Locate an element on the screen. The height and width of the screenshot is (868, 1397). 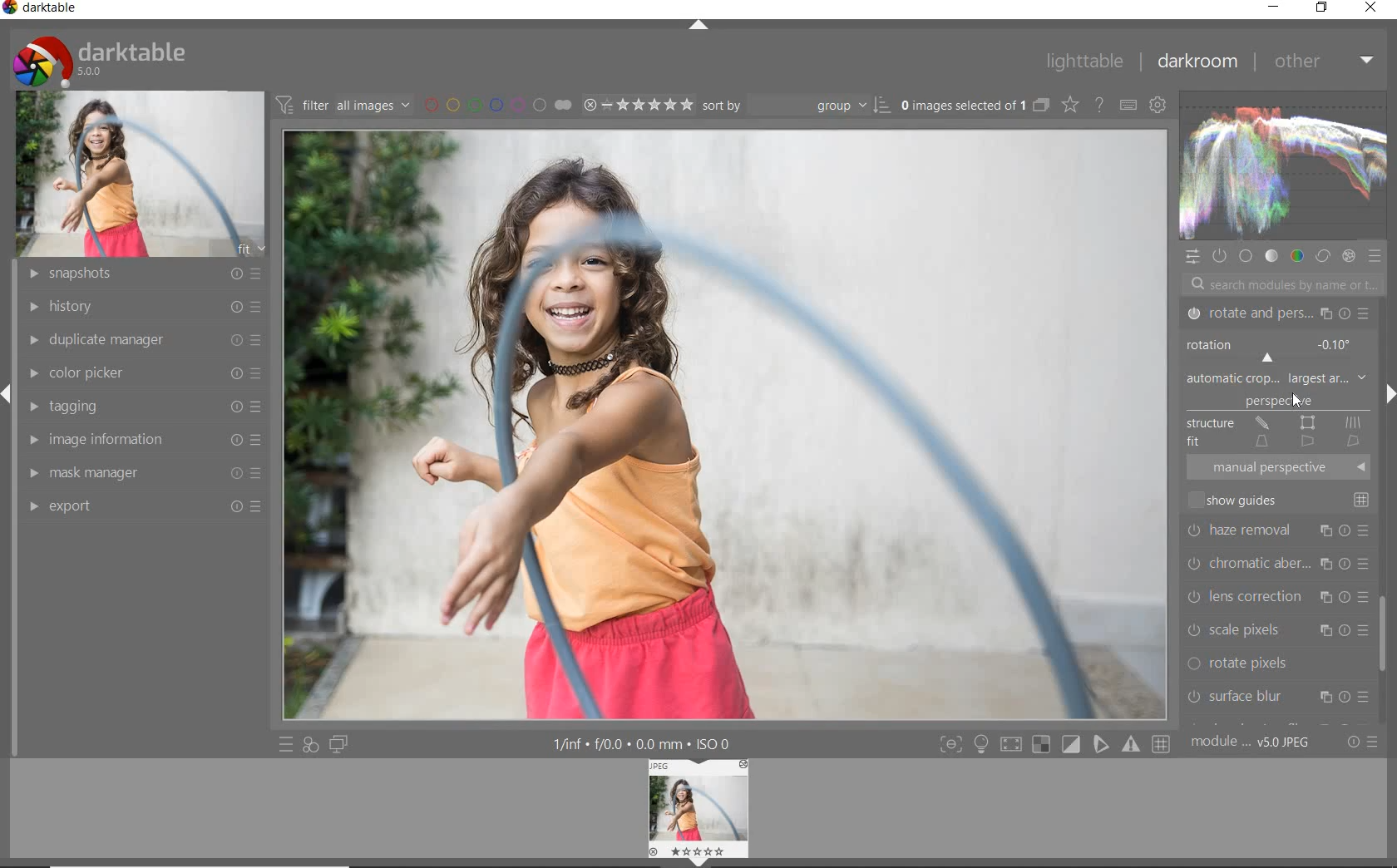
selected image range rating is located at coordinates (635, 105).